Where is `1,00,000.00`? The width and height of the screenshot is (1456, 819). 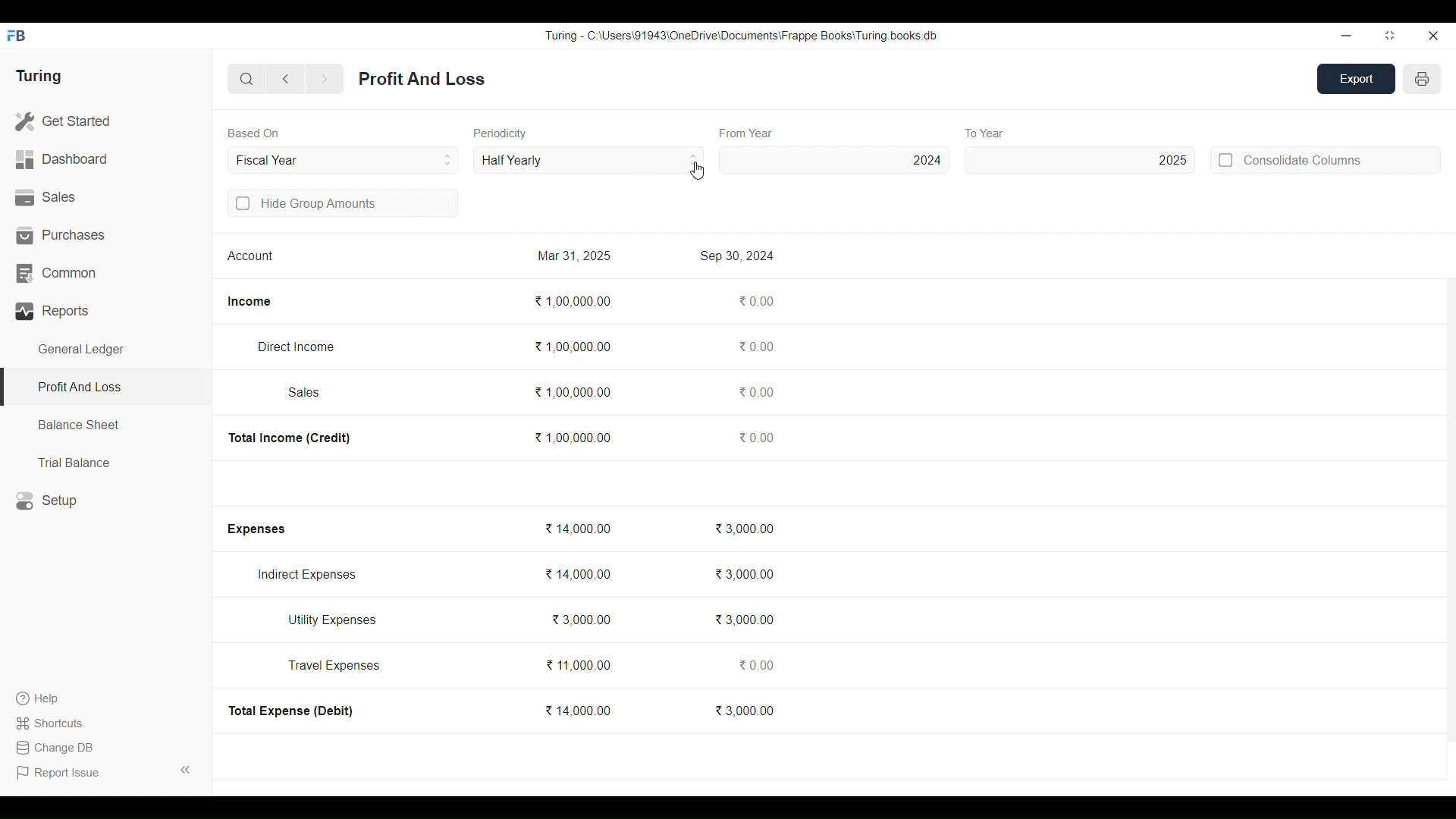
1,00,000.00 is located at coordinates (572, 393).